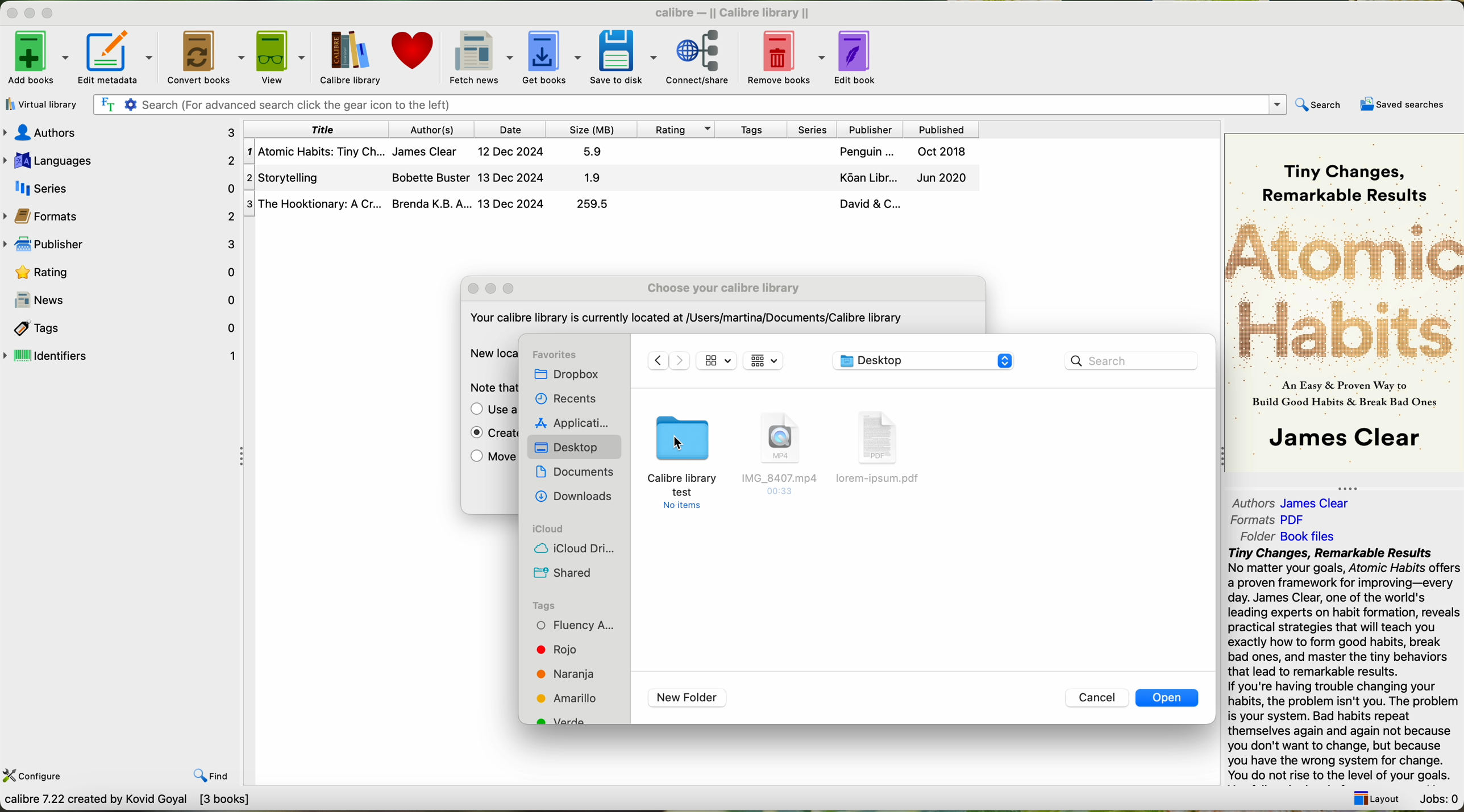  I want to click on maximize program, so click(55, 14).